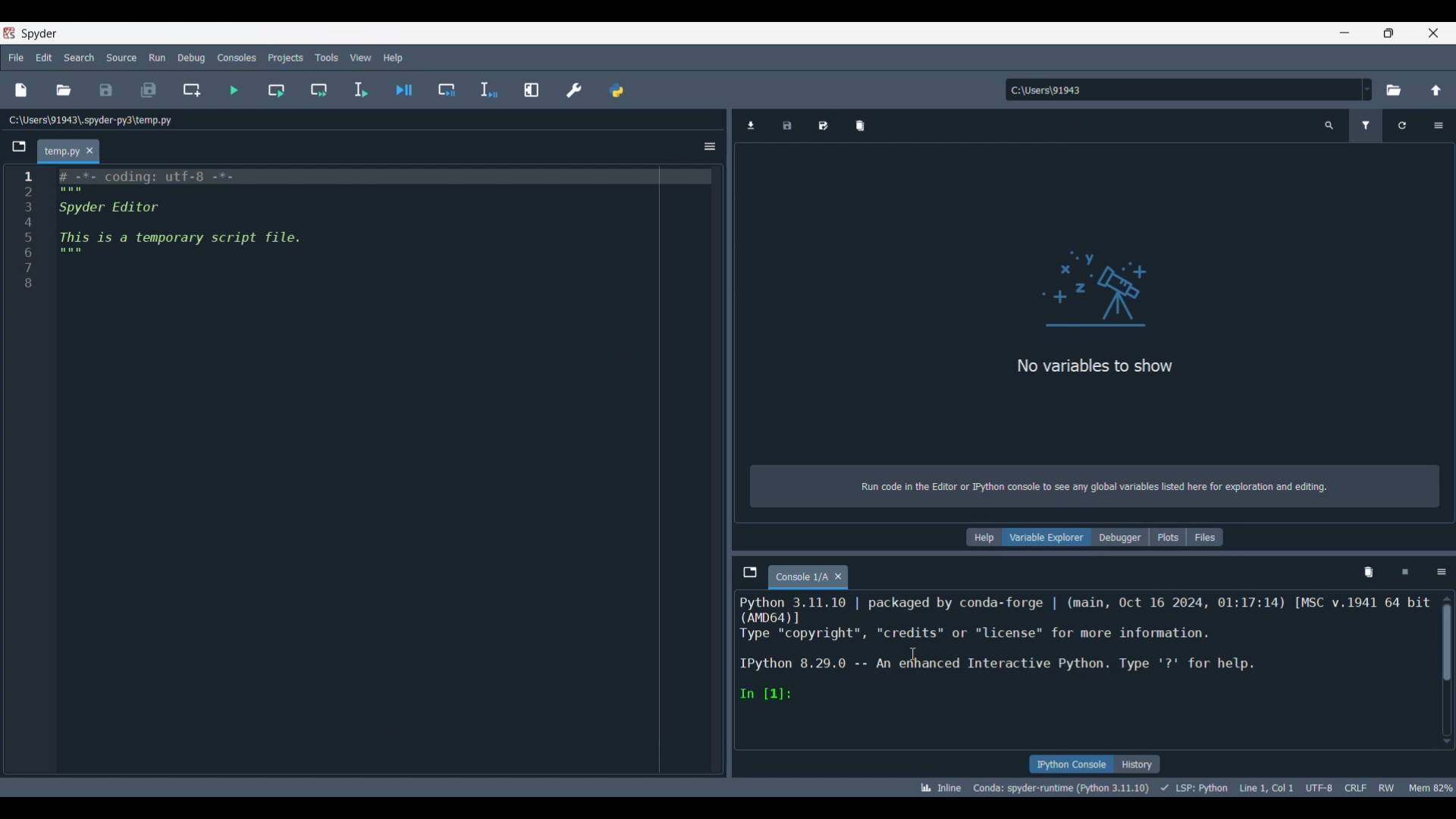 The image size is (1456, 819). Describe the element at coordinates (359, 90) in the screenshot. I see `Run selection/current line` at that location.